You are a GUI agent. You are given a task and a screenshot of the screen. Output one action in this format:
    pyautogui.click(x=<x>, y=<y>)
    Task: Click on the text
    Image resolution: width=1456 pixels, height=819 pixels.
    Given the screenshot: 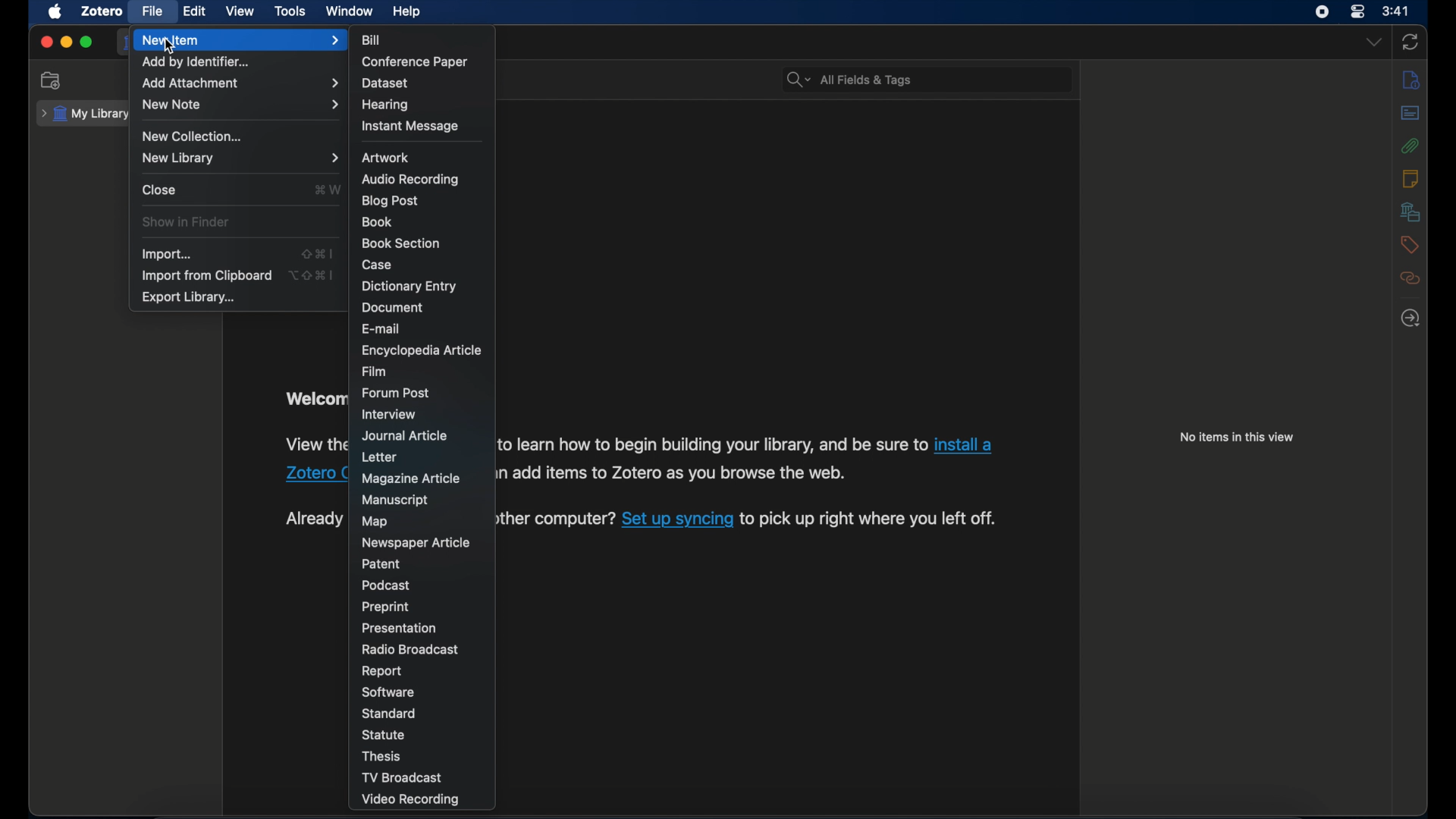 What is the action you would take?
    pyautogui.click(x=868, y=519)
    